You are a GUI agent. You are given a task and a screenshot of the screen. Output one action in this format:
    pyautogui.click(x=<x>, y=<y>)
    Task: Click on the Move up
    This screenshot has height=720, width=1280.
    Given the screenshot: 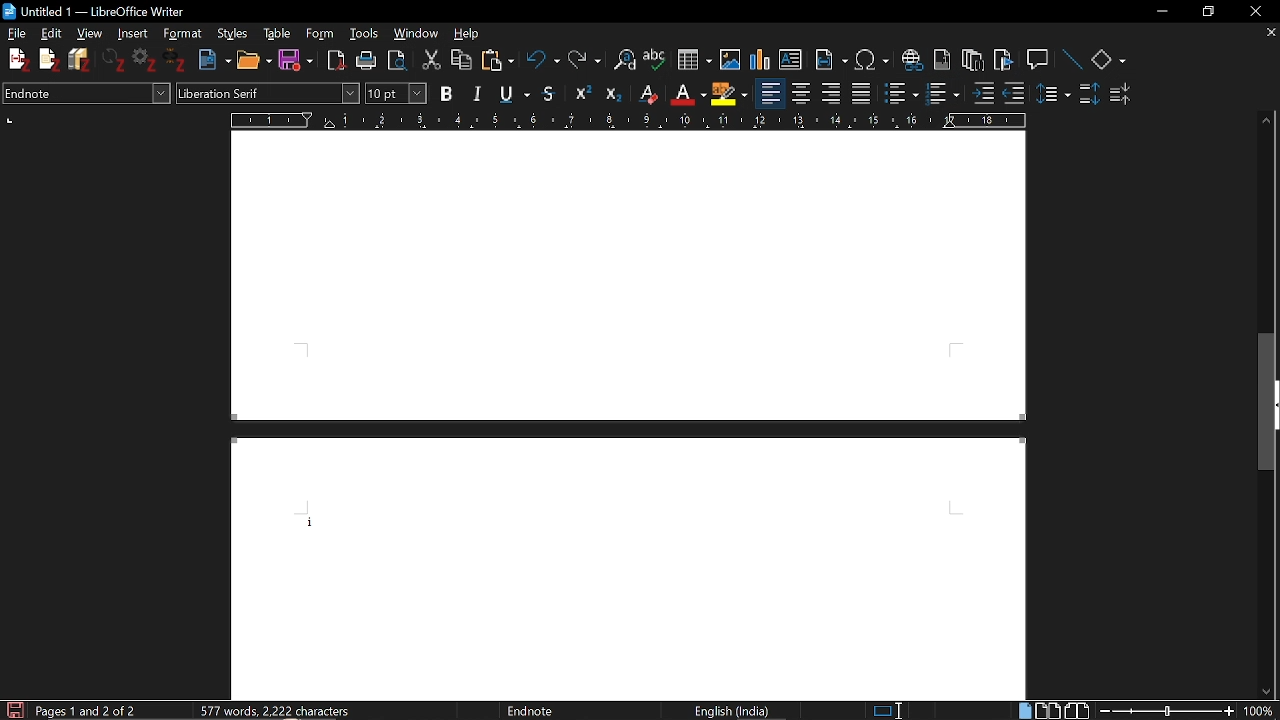 What is the action you would take?
    pyautogui.click(x=1266, y=122)
    